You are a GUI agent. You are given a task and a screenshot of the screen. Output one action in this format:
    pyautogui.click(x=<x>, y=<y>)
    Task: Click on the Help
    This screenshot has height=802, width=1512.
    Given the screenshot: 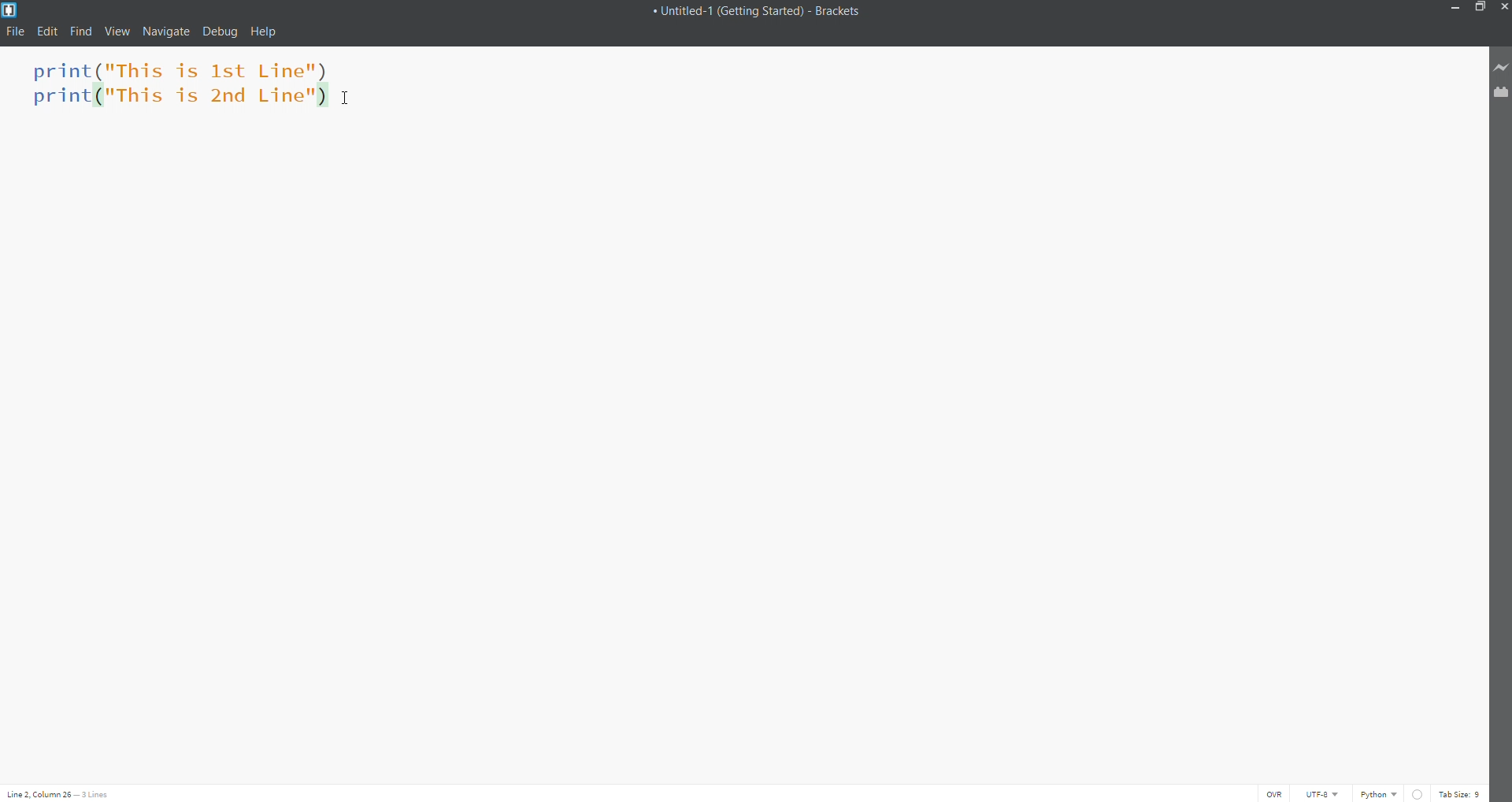 What is the action you would take?
    pyautogui.click(x=267, y=30)
    